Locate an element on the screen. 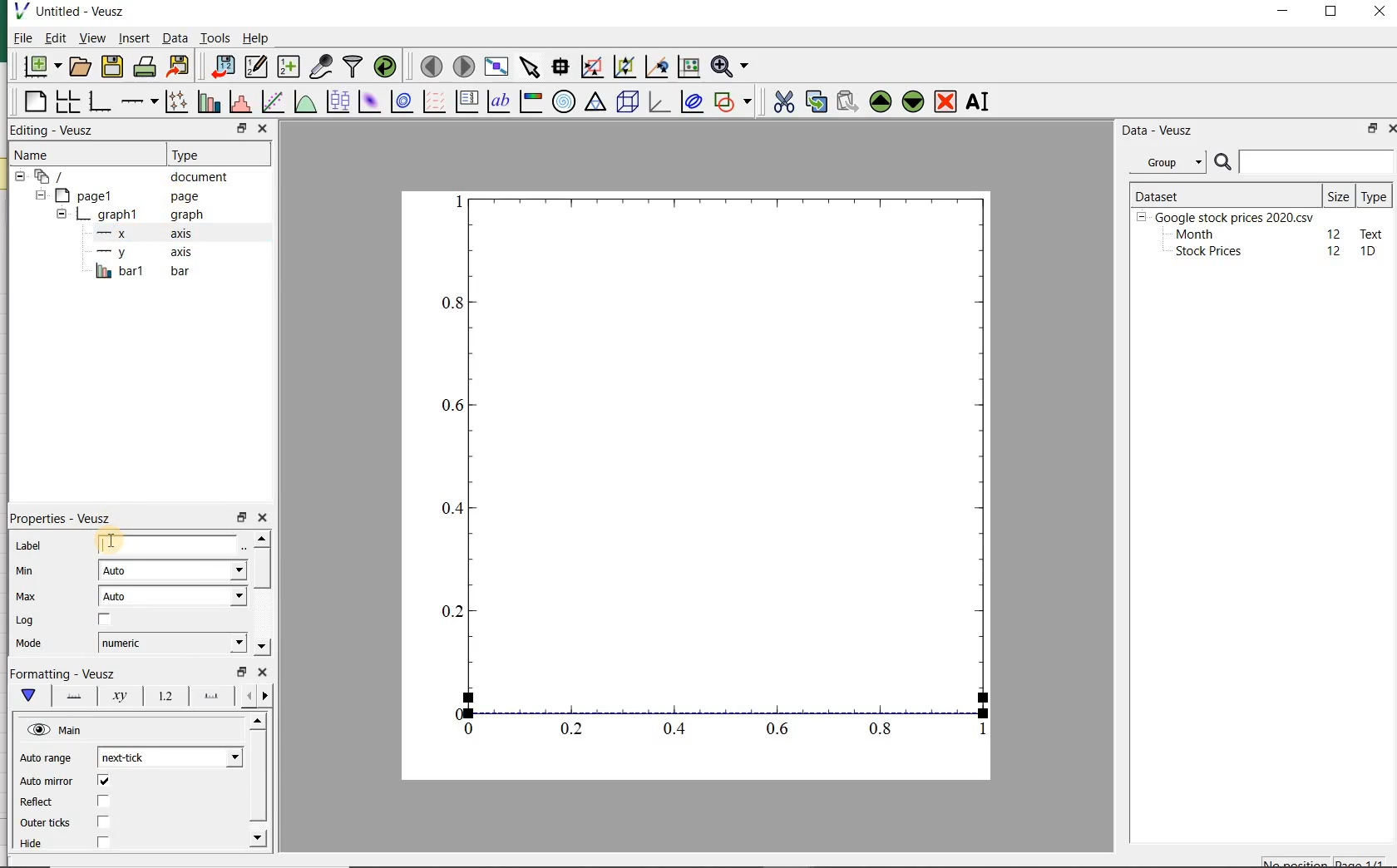 The height and width of the screenshot is (868, 1397). plot a 2d dataset as an image is located at coordinates (368, 101).